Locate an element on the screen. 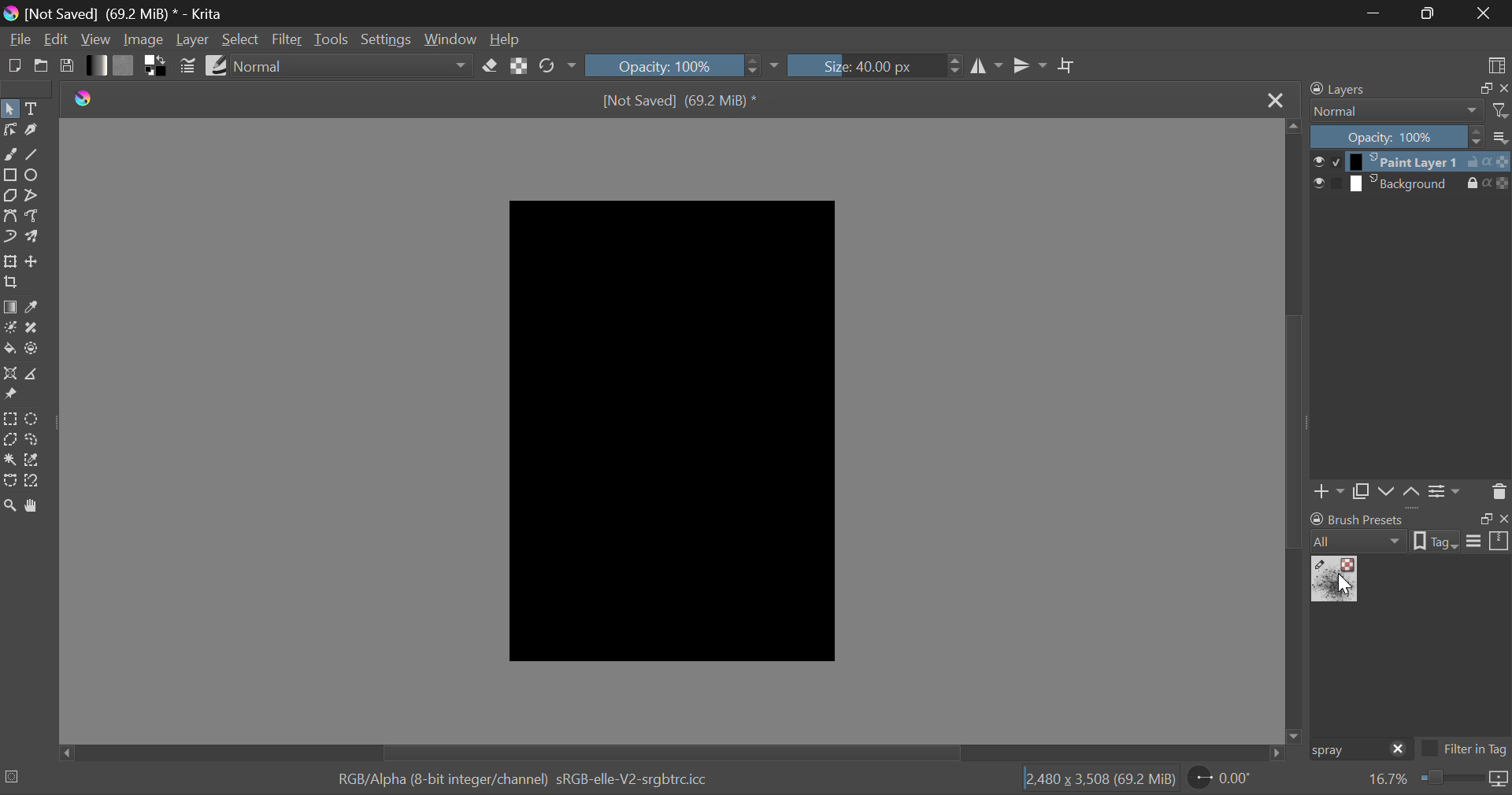 The image size is (1512, 795). Settings is located at coordinates (391, 38).